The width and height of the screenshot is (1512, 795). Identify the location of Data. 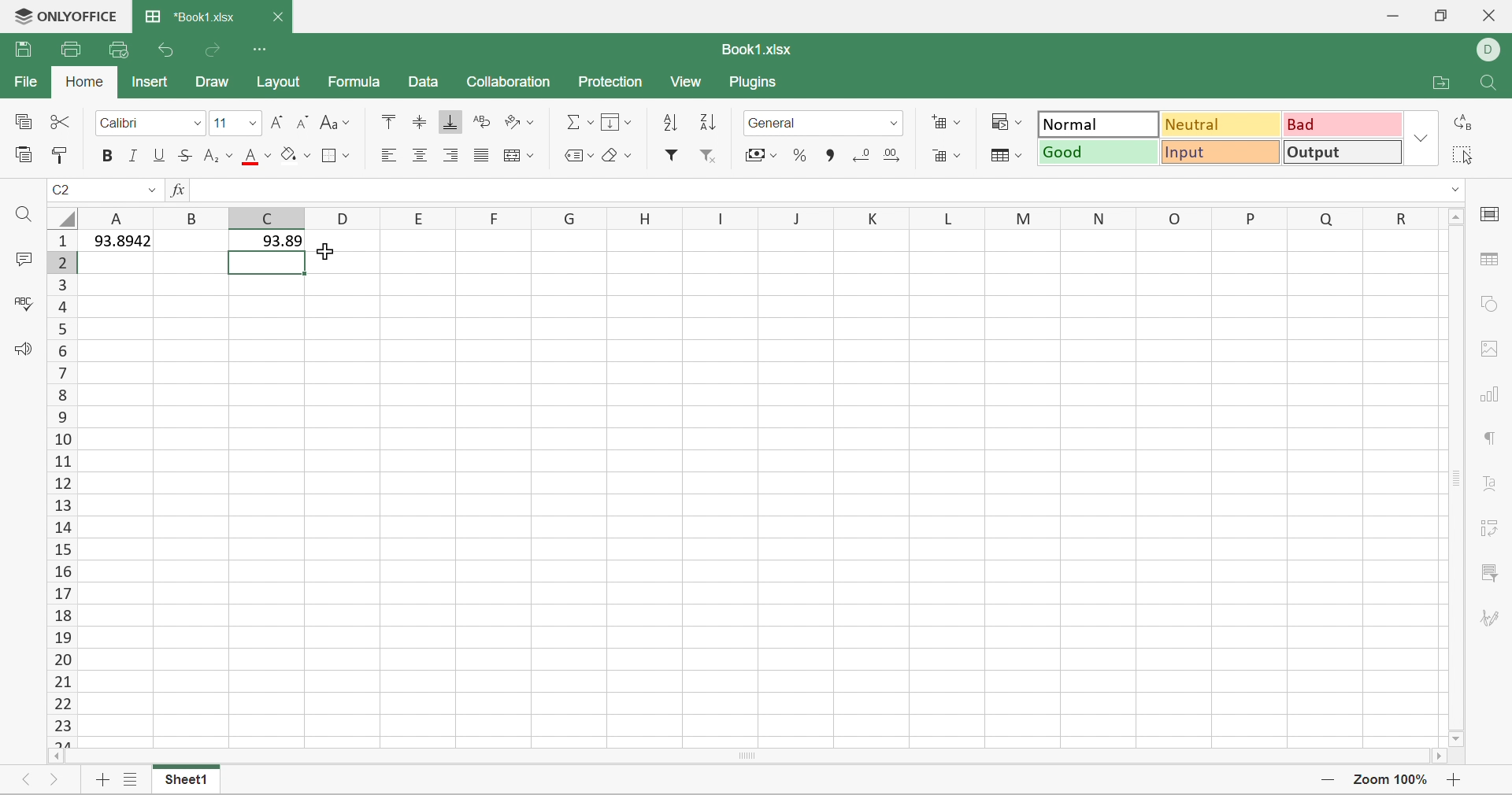
(419, 83).